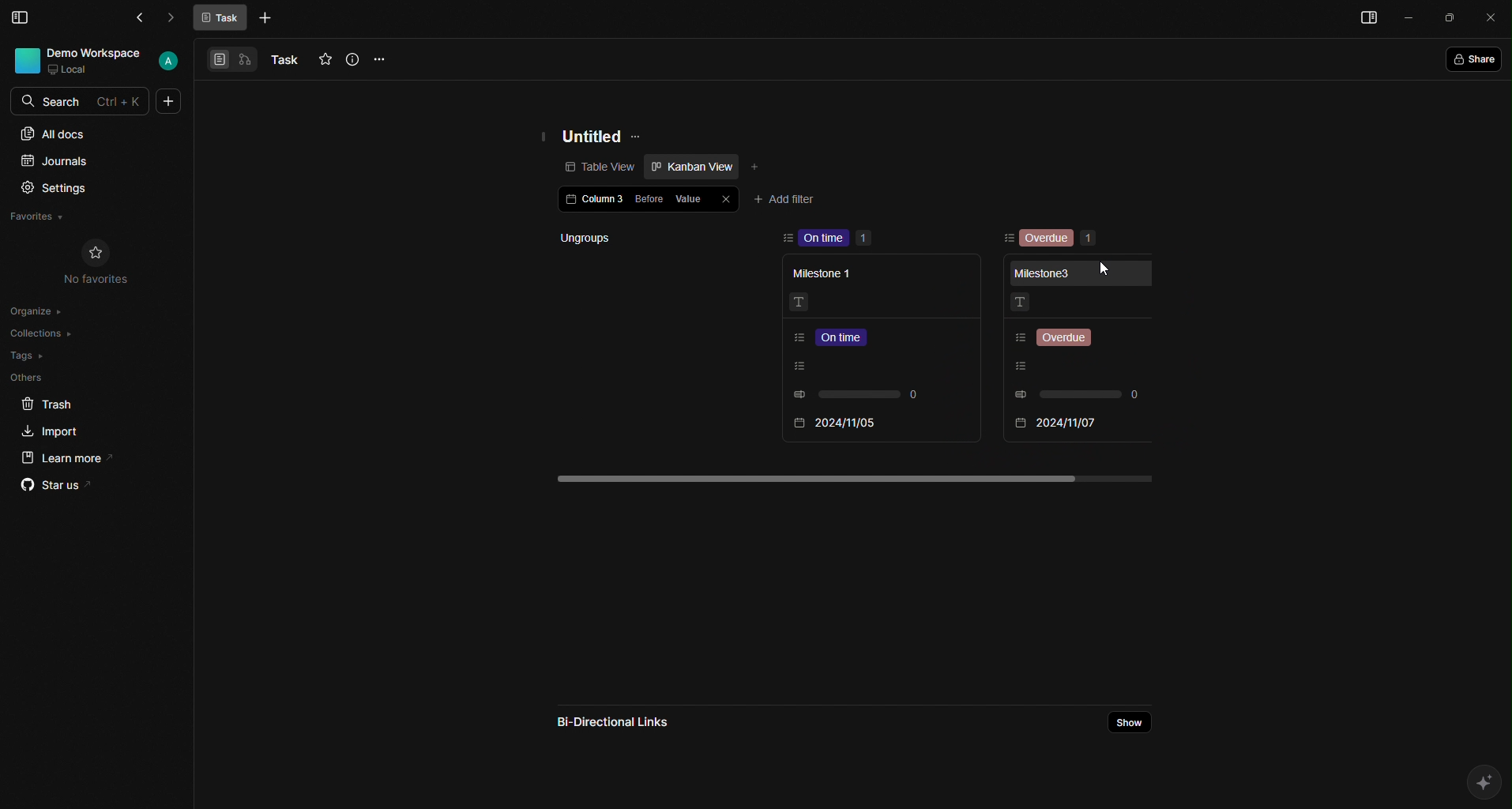  What do you see at coordinates (31, 356) in the screenshot?
I see `Tags` at bounding box center [31, 356].